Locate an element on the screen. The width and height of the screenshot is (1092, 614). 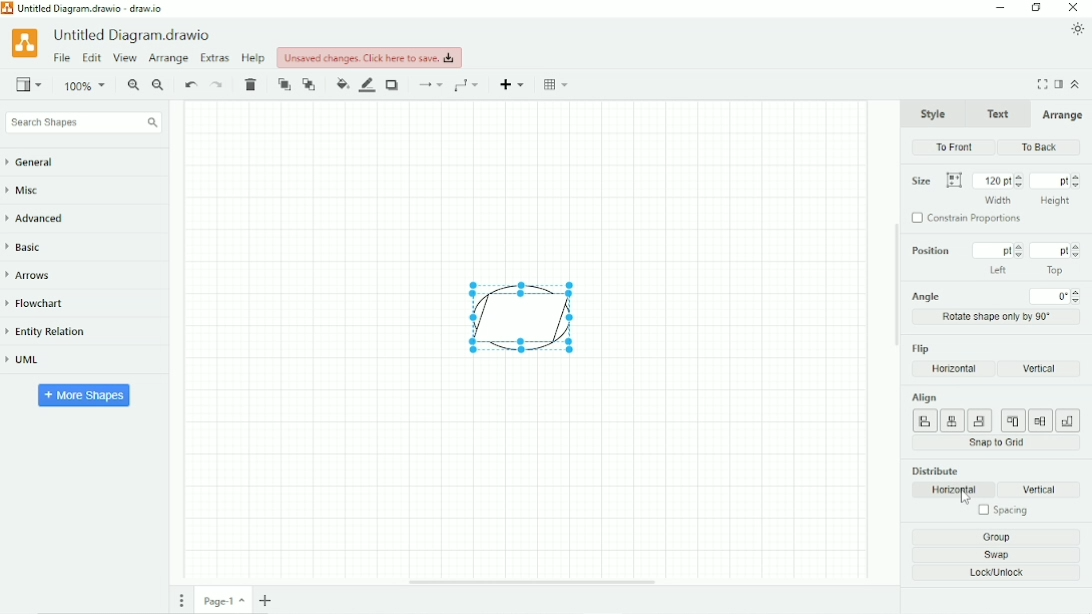
Horizontal scrollbar is located at coordinates (532, 582).